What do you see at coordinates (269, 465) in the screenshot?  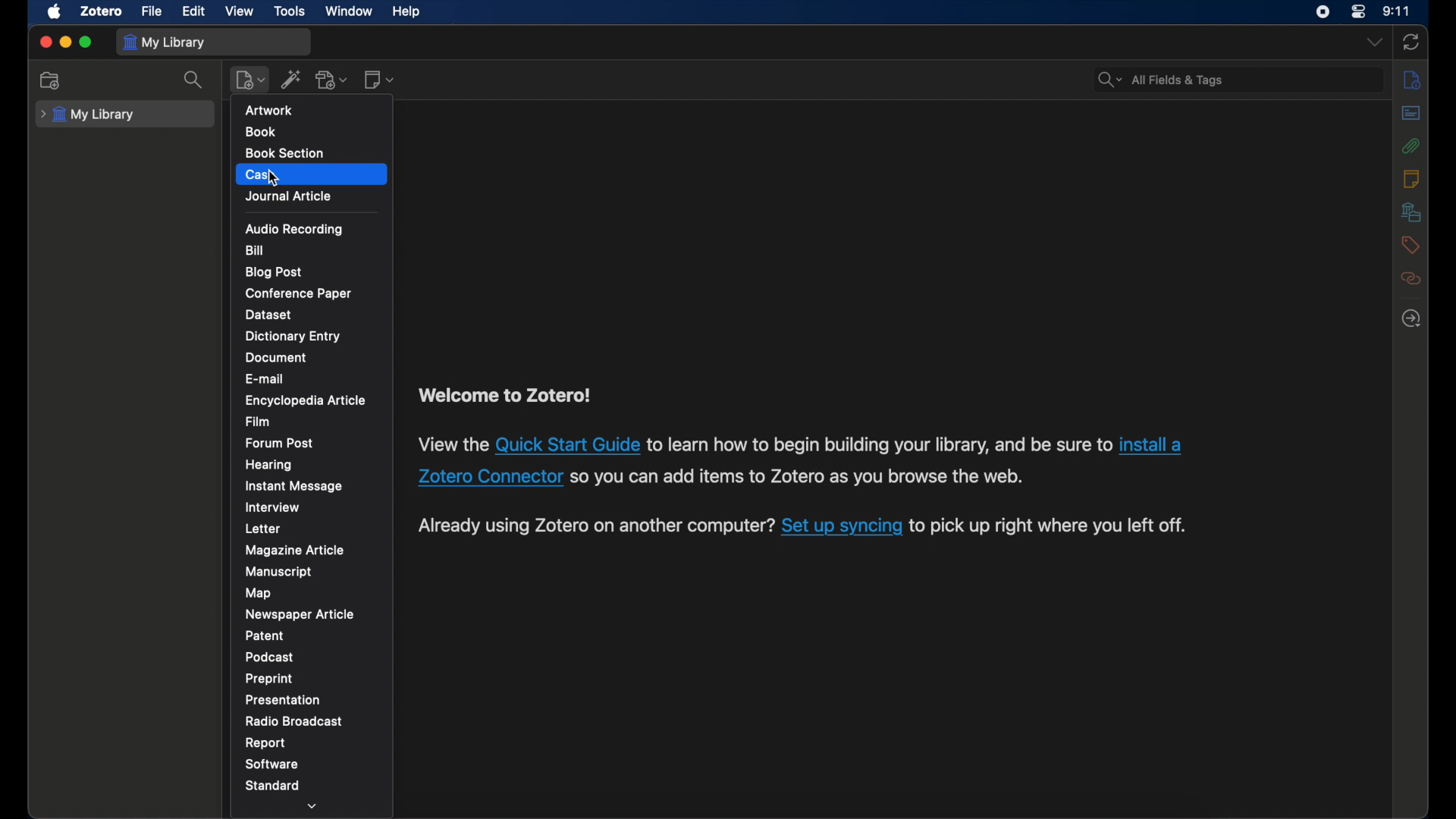 I see `hearing` at bounding box center [269, 465].